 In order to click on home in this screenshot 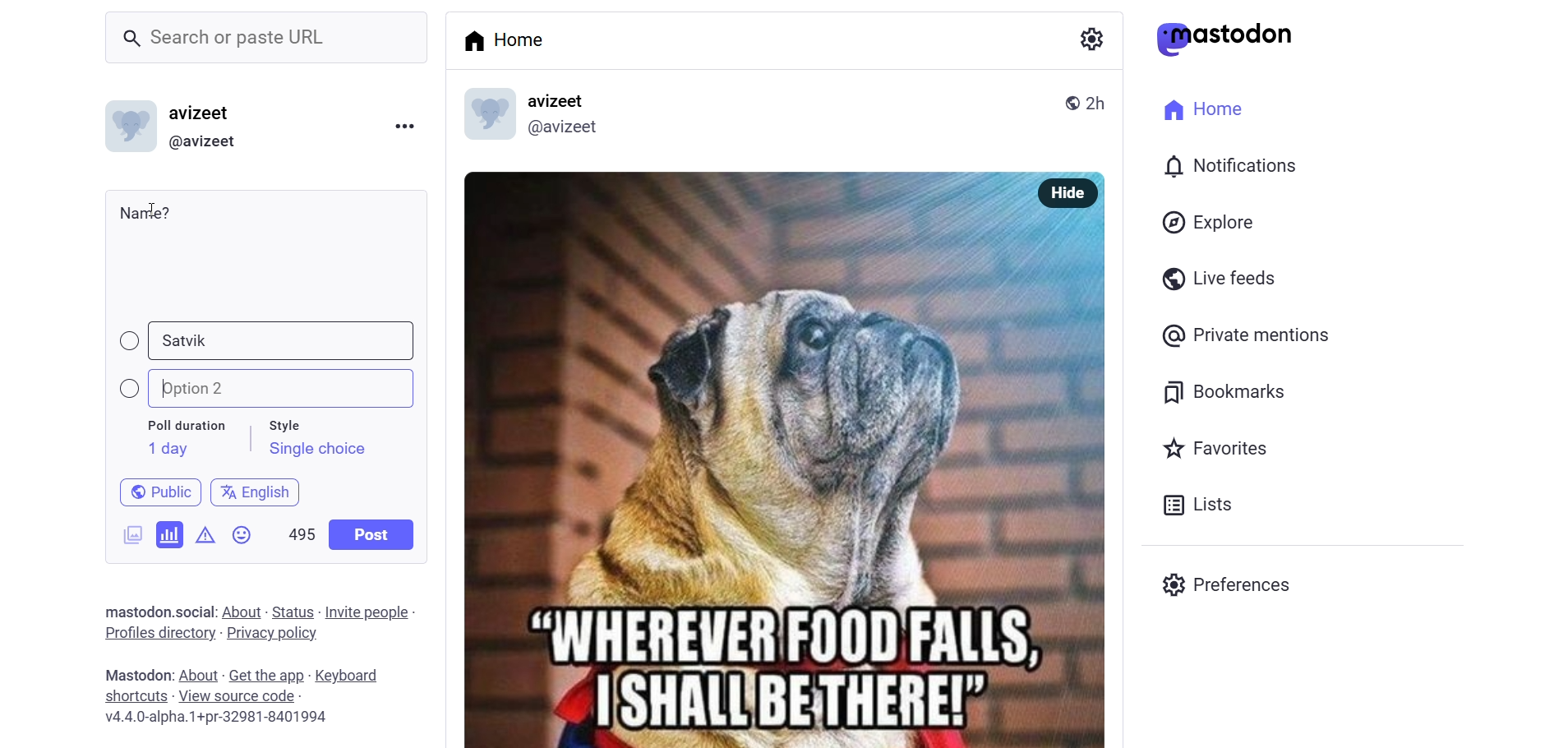, I will do `click(510, 39)`.